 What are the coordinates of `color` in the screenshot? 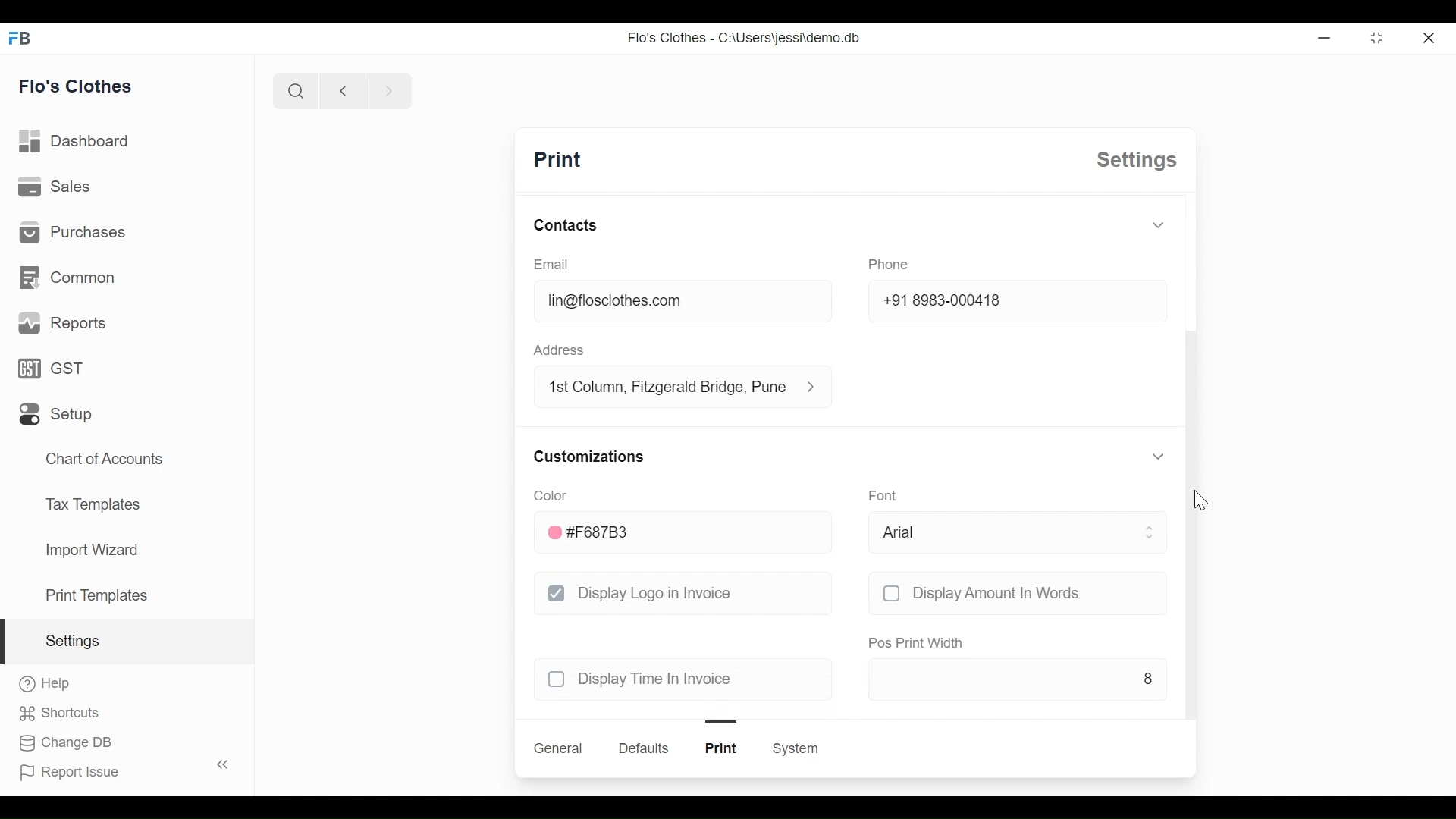 It's located at (549, 495).